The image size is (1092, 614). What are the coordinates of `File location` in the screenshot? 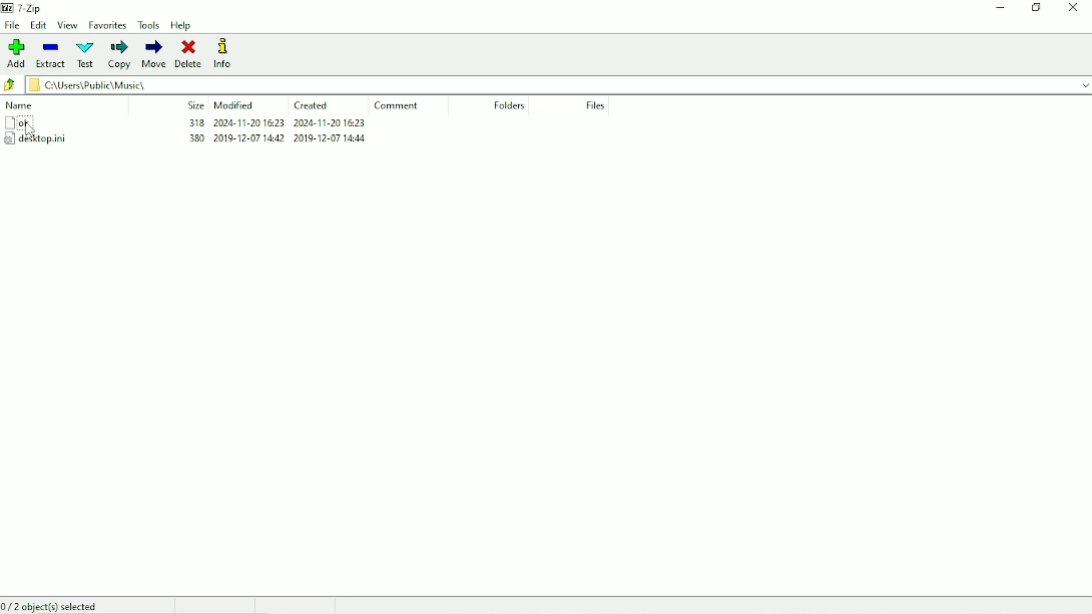 It's located at (548, 84).